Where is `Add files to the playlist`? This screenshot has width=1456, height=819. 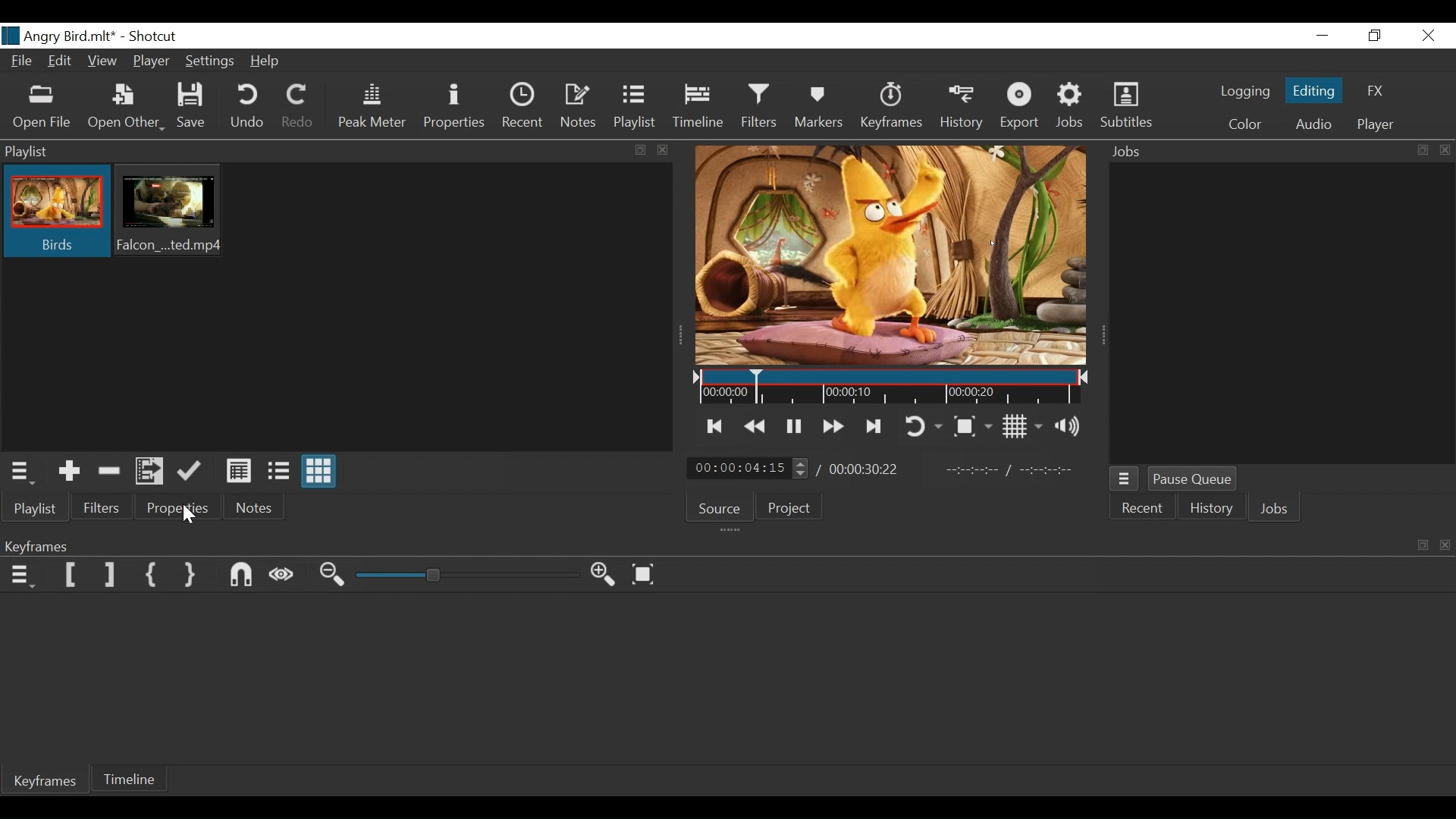
Add files to the playlist is located at coordinates (151, 472).